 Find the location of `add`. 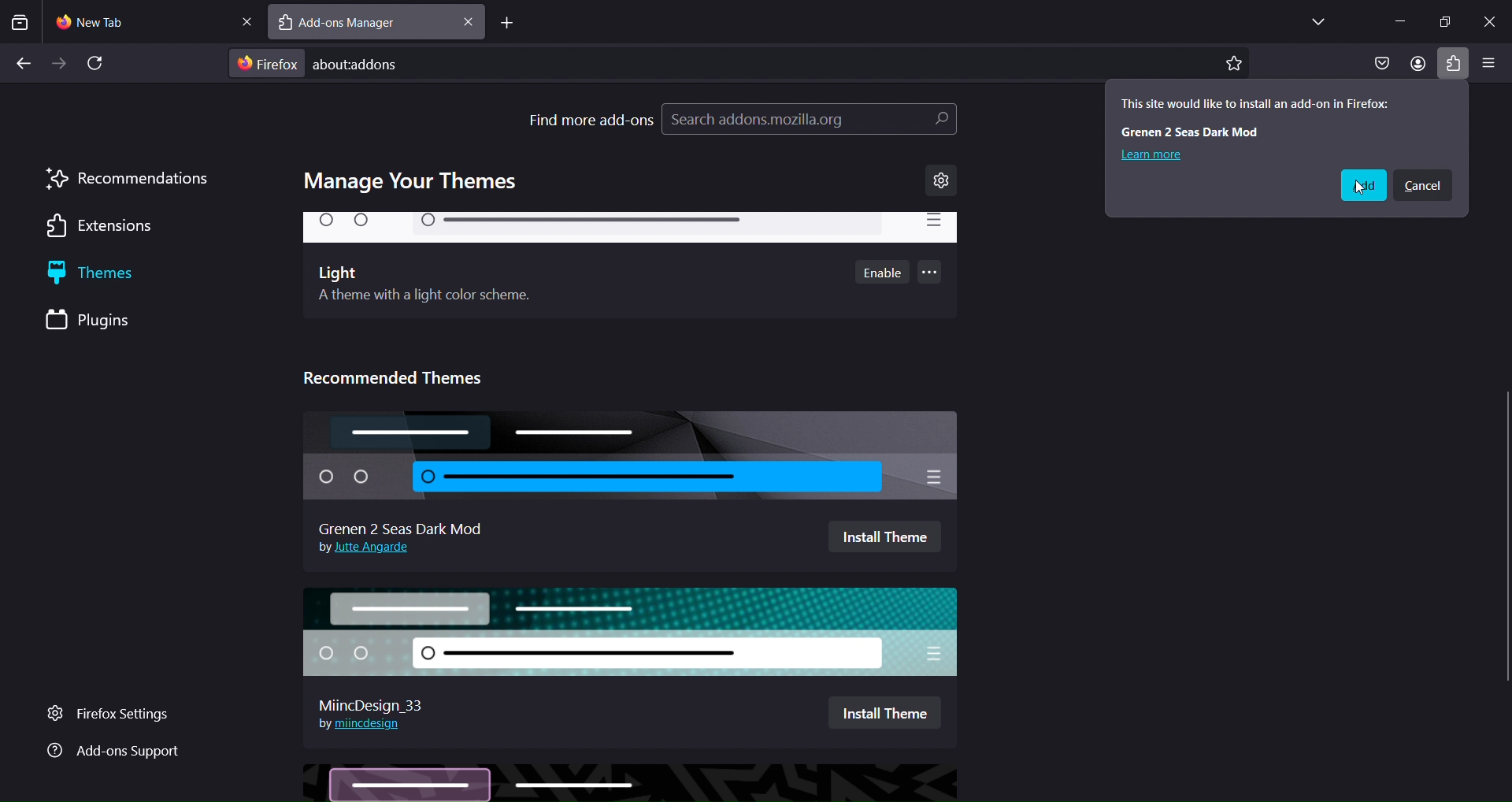

add is located at coordinates (1360, 186).